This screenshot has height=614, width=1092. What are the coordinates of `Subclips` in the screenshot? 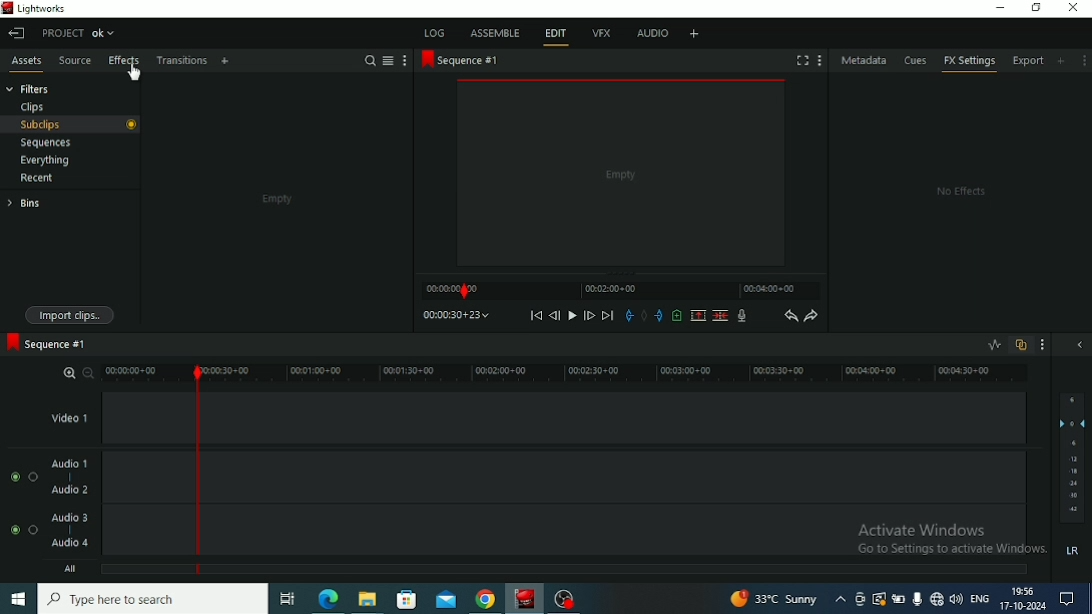 It's located at (71, 125).